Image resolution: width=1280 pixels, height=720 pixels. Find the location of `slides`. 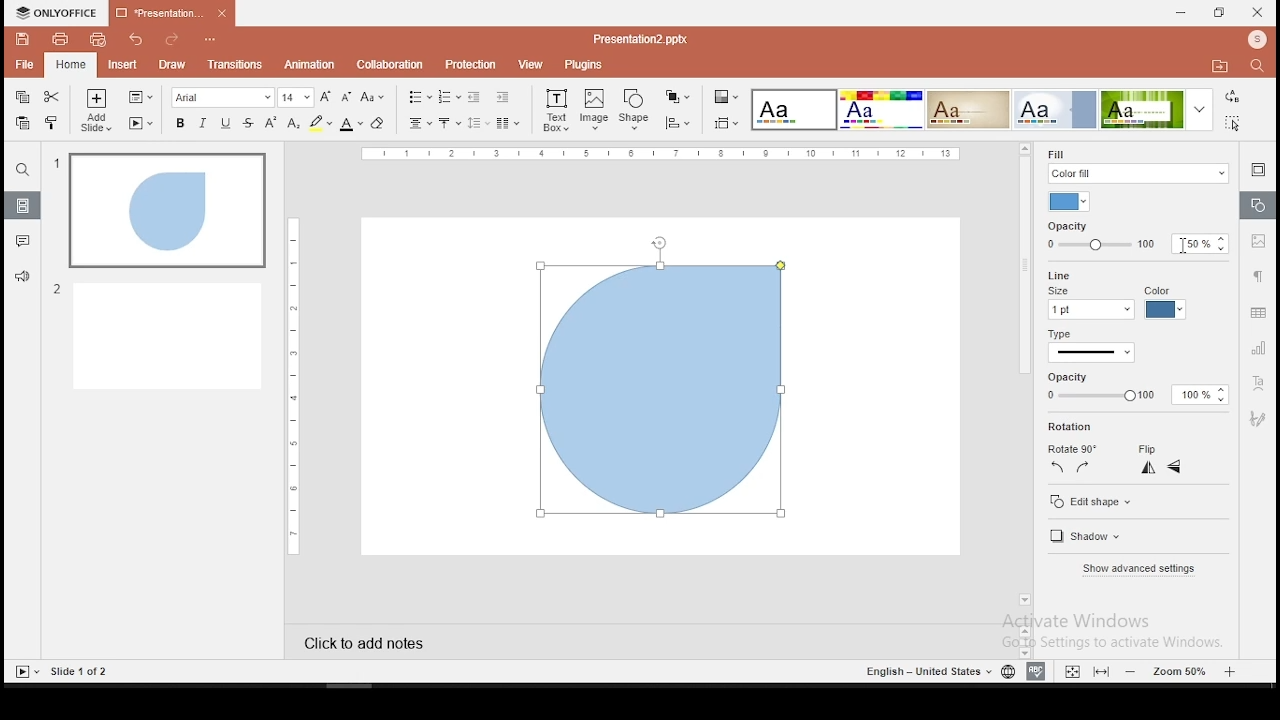

slides is located at coordinates (22, 206).